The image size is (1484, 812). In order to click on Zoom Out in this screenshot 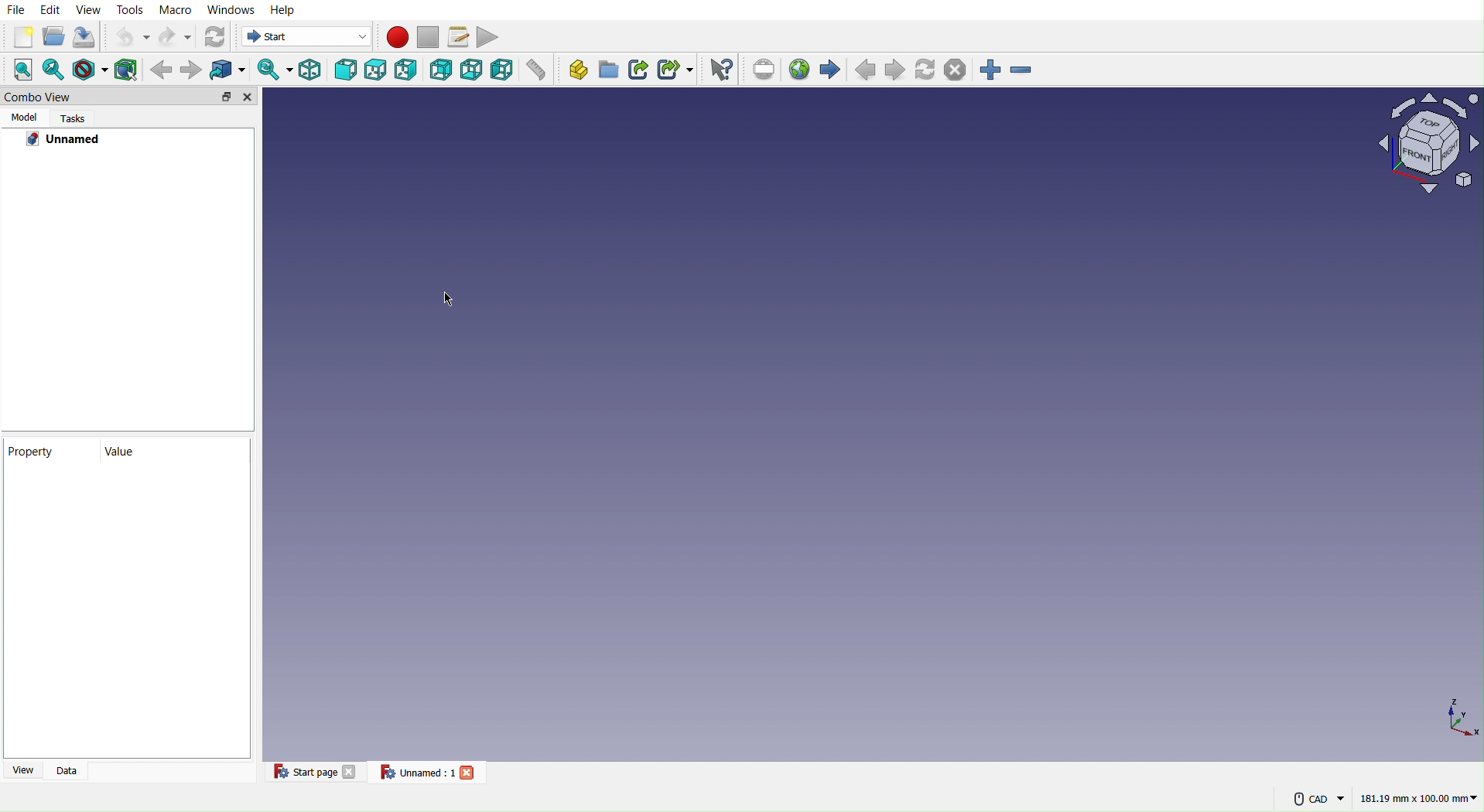, I will do `click(1026, 69)`.